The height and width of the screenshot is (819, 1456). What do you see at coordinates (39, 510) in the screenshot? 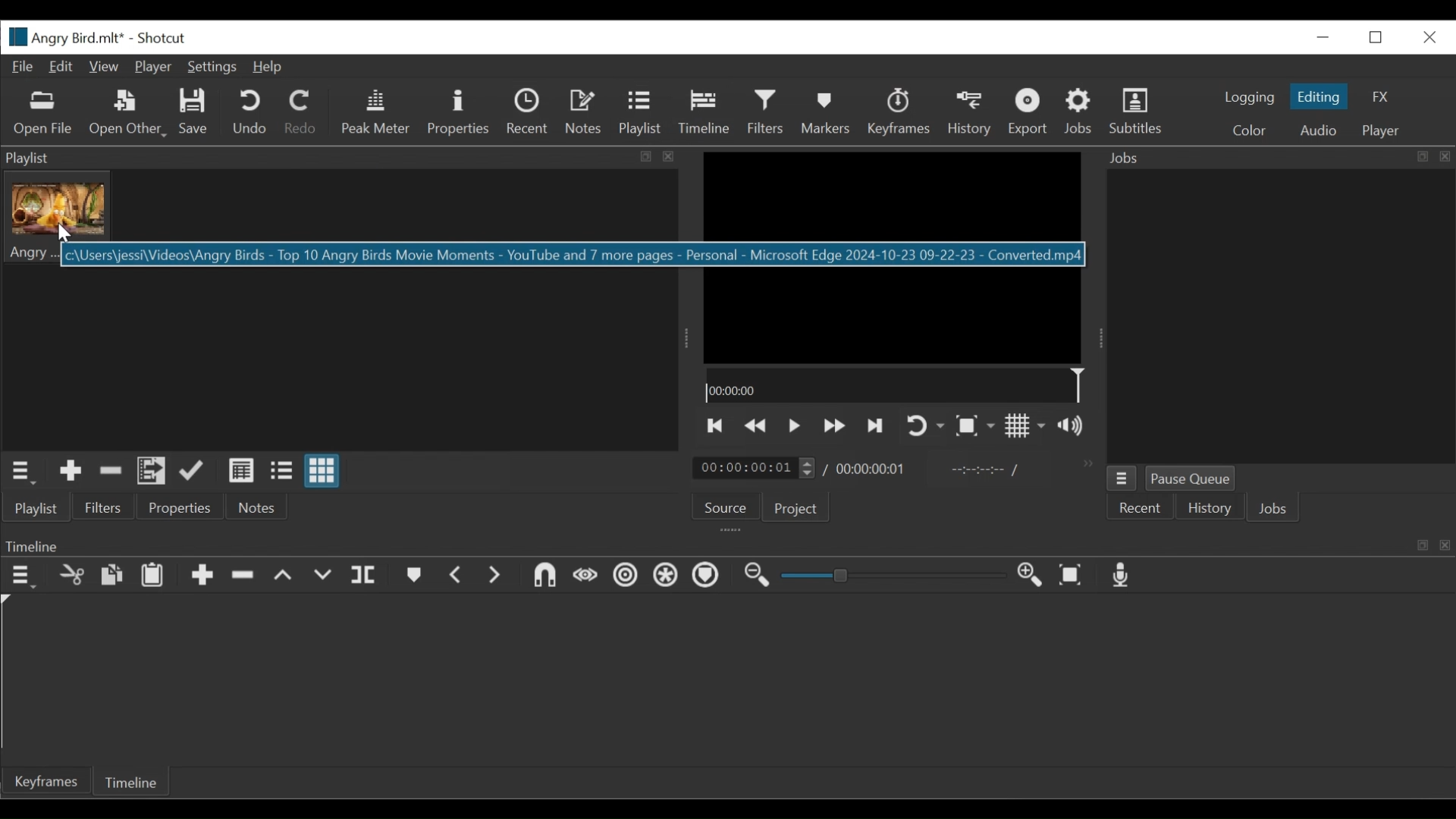
I see `Playlist` at bounding box center [39, 510].